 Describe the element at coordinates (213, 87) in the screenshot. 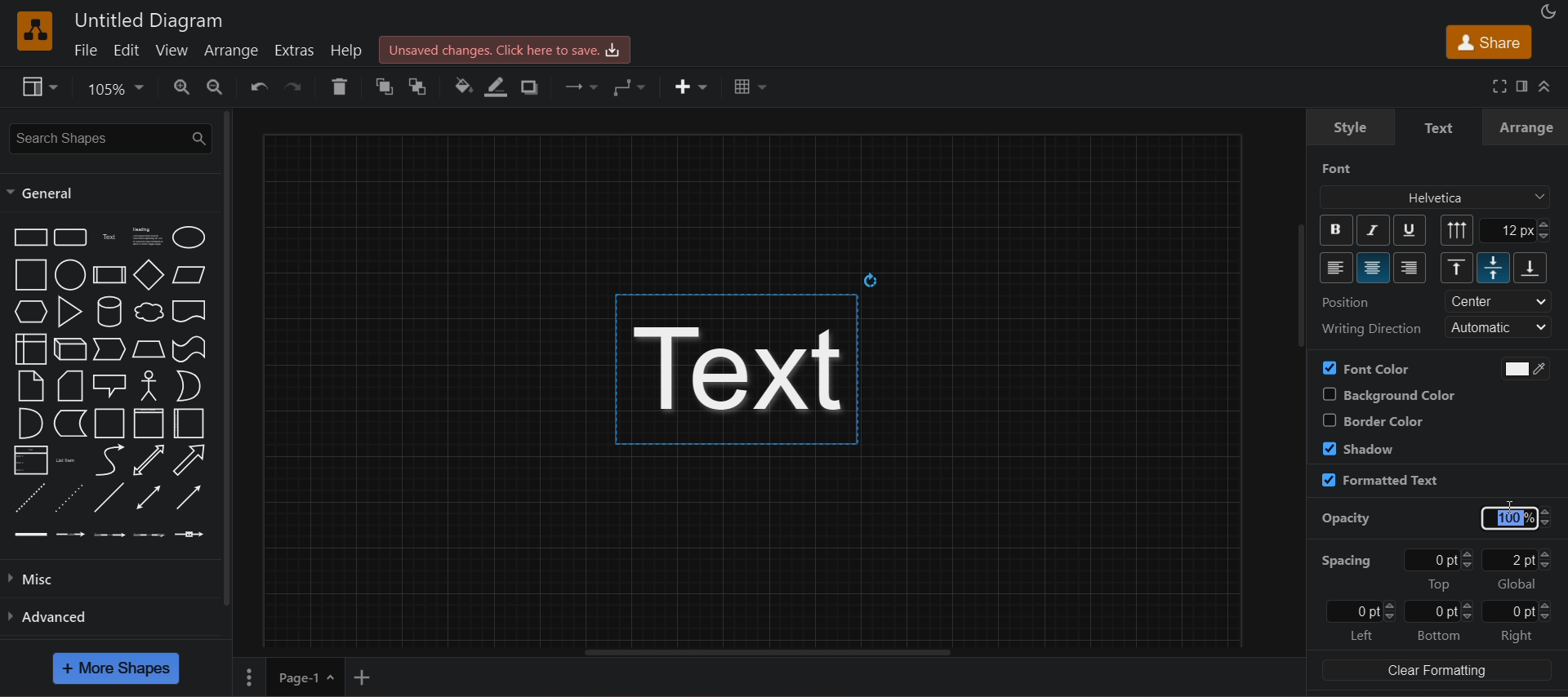

I see `zoom out` at that location.